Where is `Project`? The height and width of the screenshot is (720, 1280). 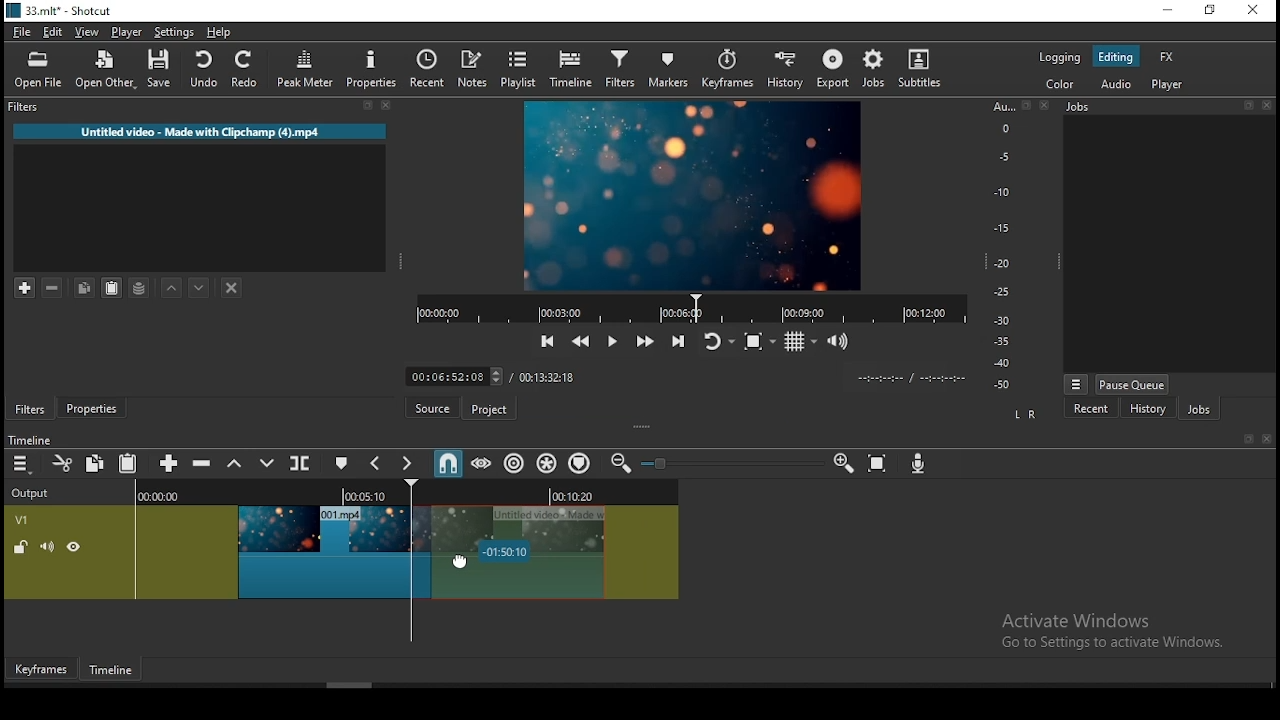 Project is located at coordinates (489, 407).